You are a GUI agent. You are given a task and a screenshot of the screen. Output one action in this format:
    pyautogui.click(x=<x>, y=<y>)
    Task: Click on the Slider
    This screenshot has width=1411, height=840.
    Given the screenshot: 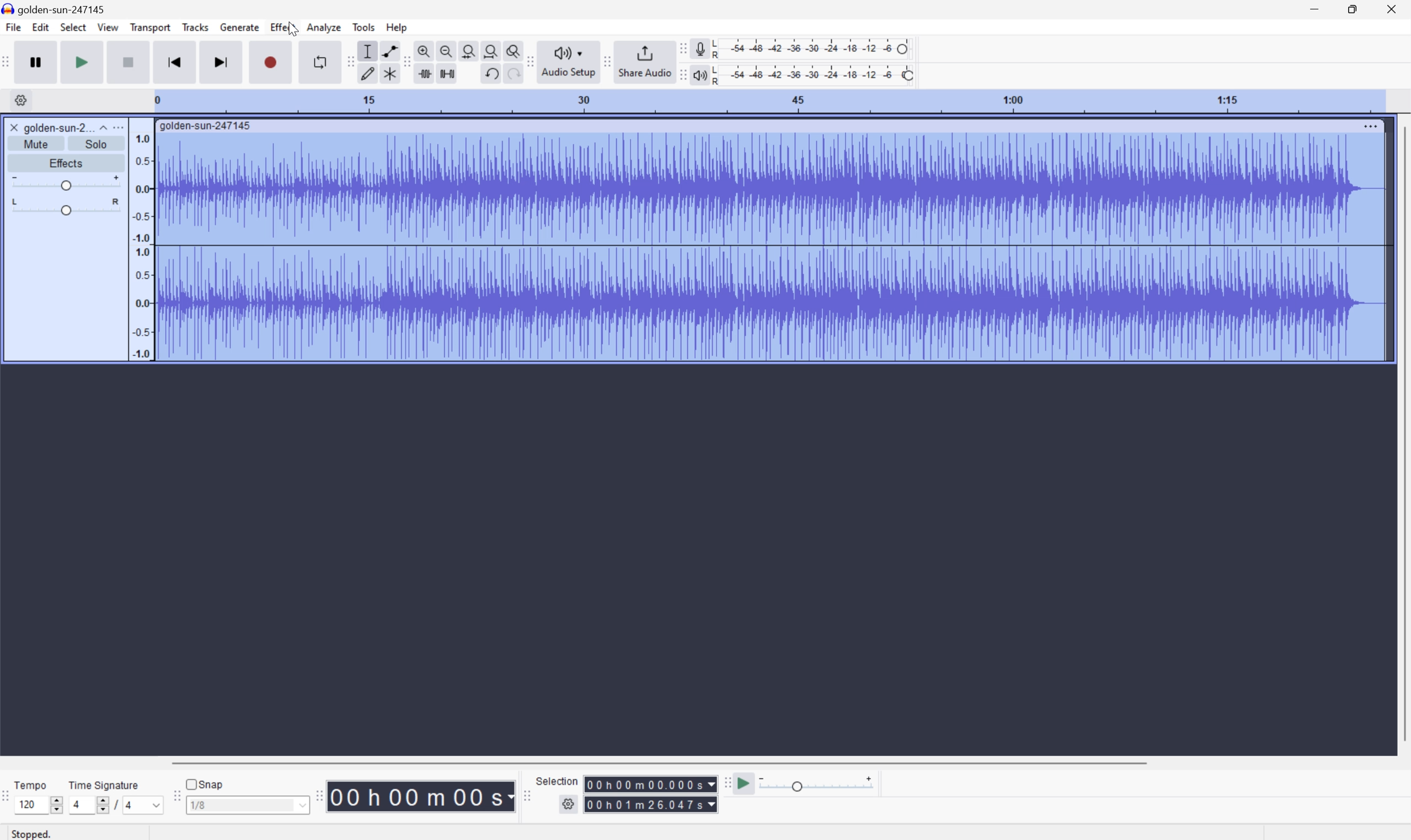 What is the action you would take?
    pyautogui.click(x=65, y=181)
    